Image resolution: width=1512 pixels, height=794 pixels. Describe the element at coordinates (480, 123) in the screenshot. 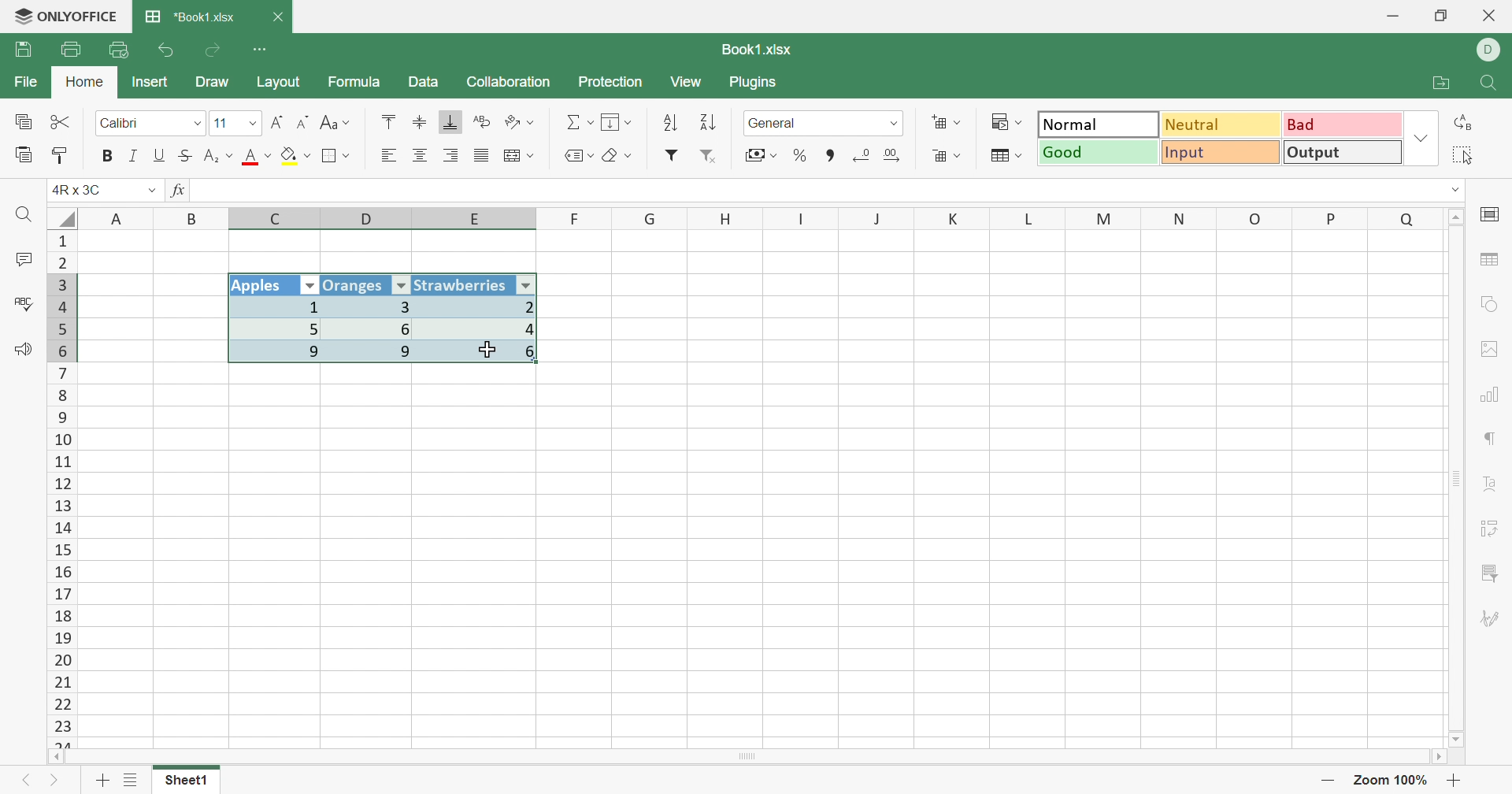

I see `Wrap Text` at that location.